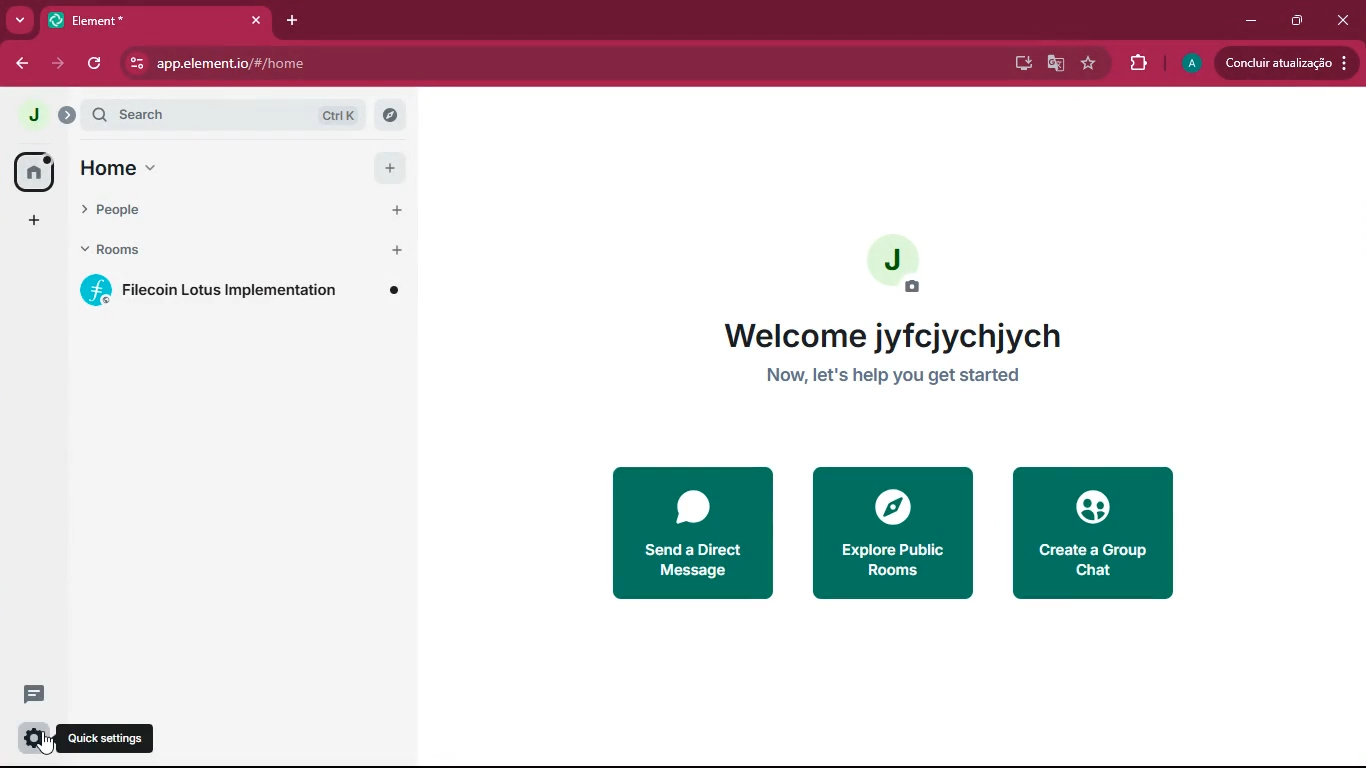 This screenshot has height=768, width=1366. I want to click on close, so click(1346, 20).